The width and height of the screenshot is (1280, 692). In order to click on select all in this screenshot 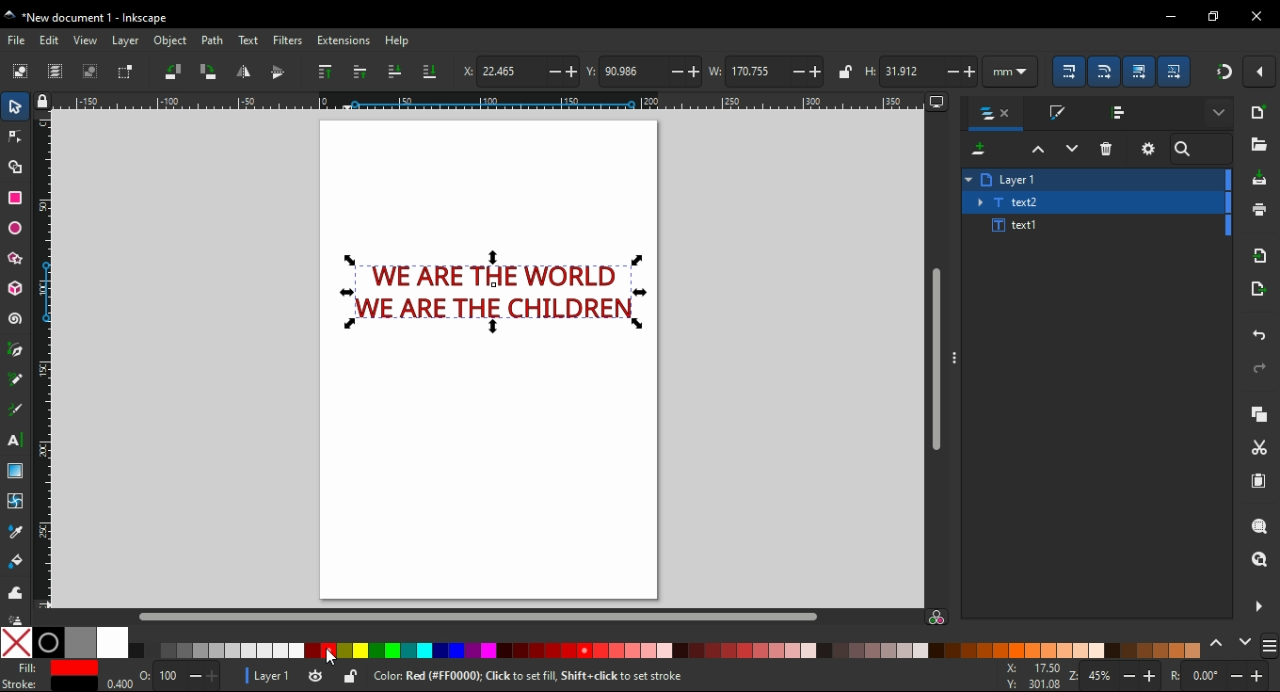, I will do `click(56, 72)`.